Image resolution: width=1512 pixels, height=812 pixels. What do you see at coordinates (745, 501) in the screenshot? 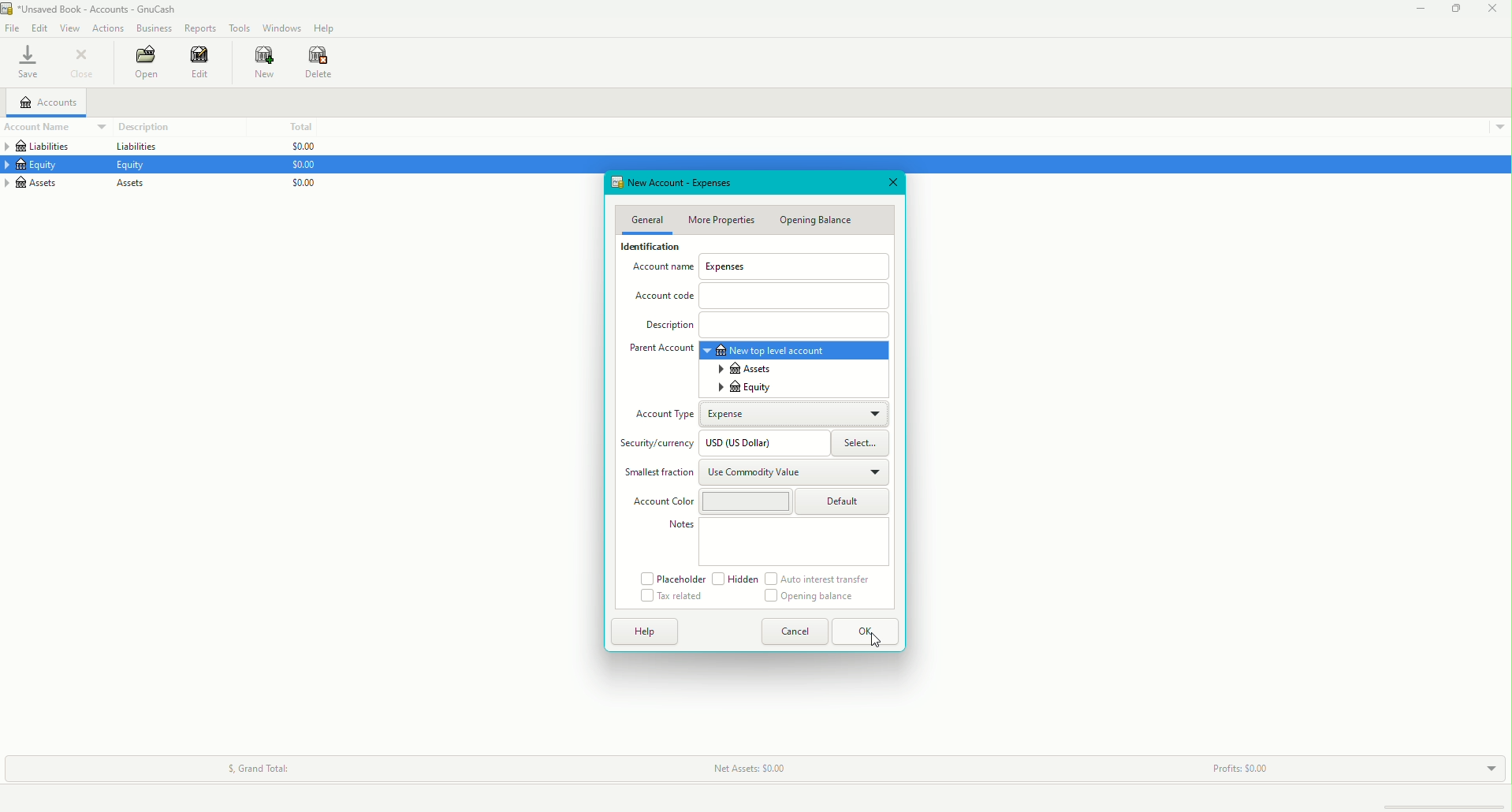
I see `Liability` at bounding box center [745, 501].